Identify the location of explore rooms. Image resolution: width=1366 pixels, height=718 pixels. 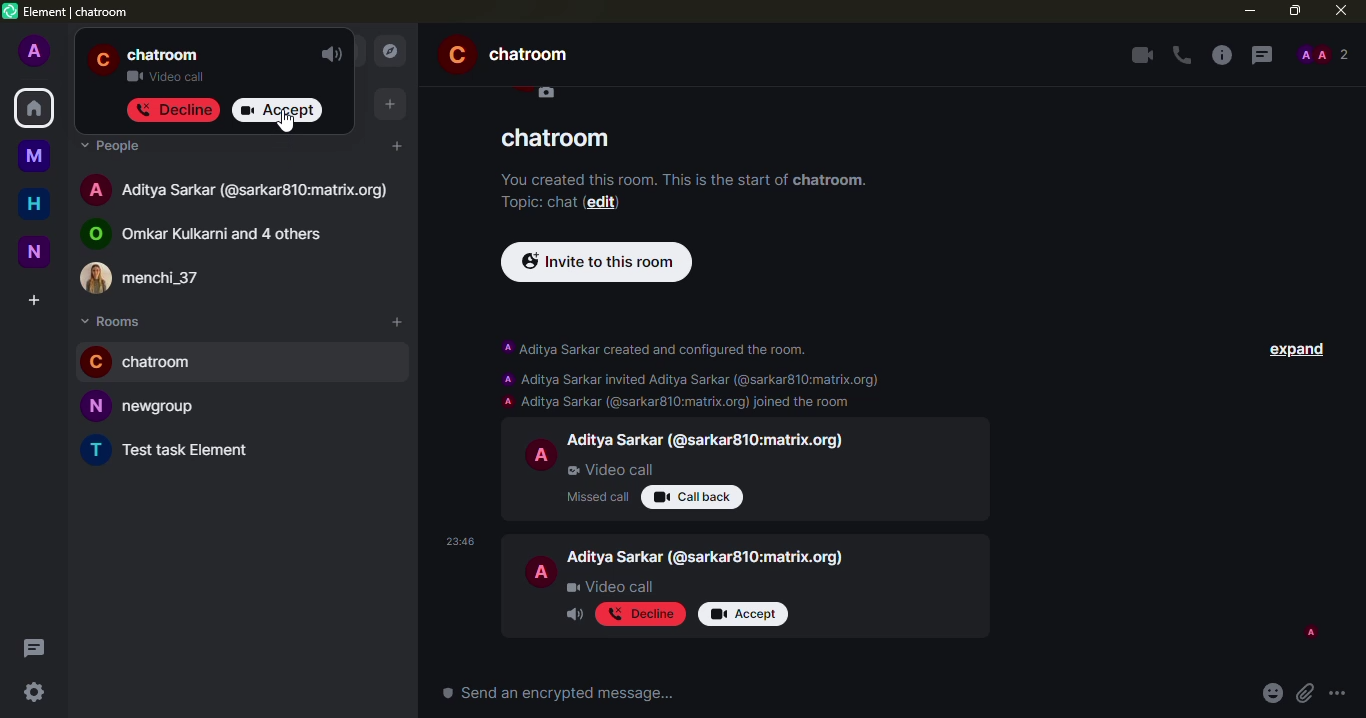
(388, 50).